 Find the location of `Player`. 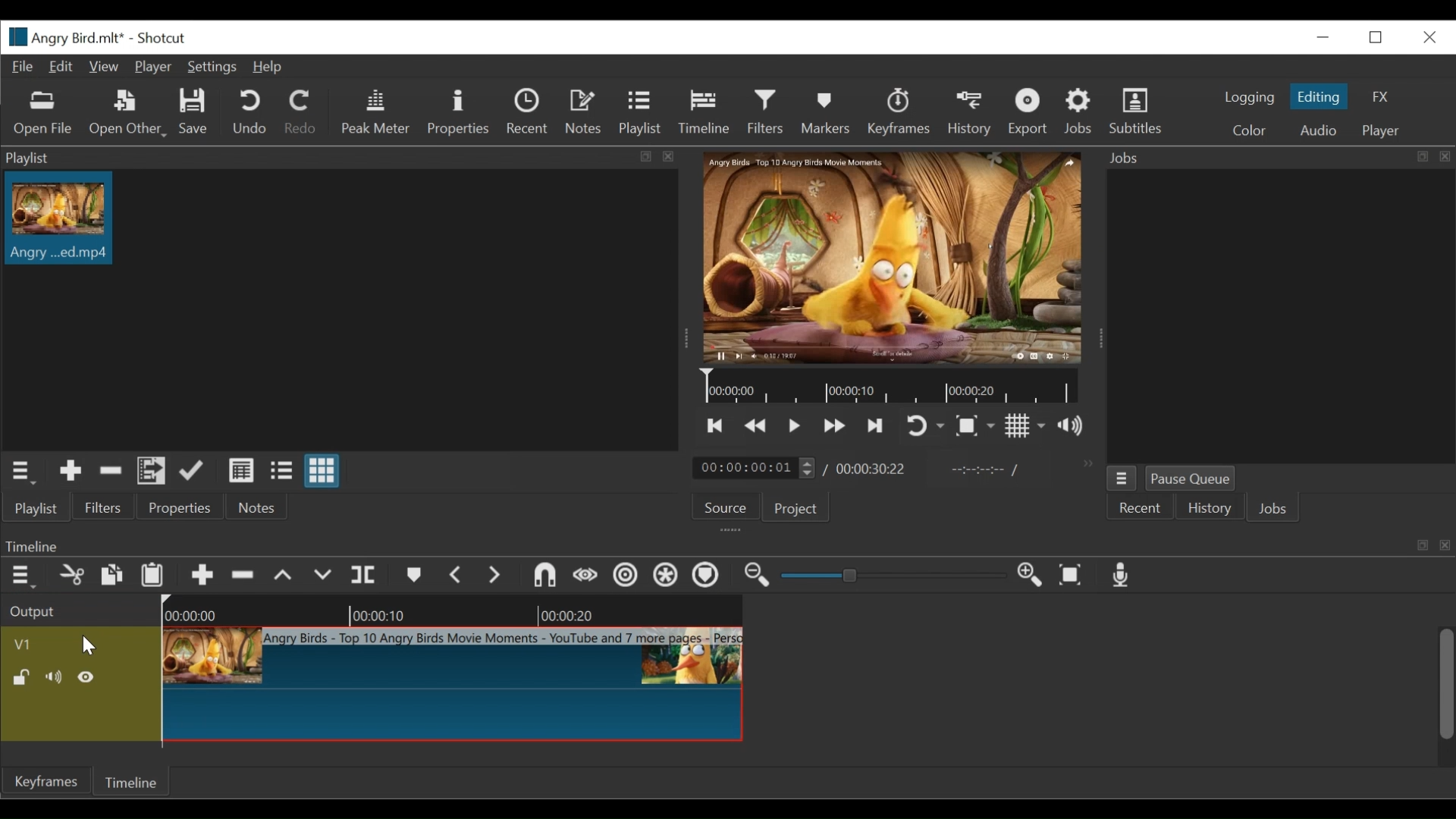

Player is located at coordinates (152, 67).